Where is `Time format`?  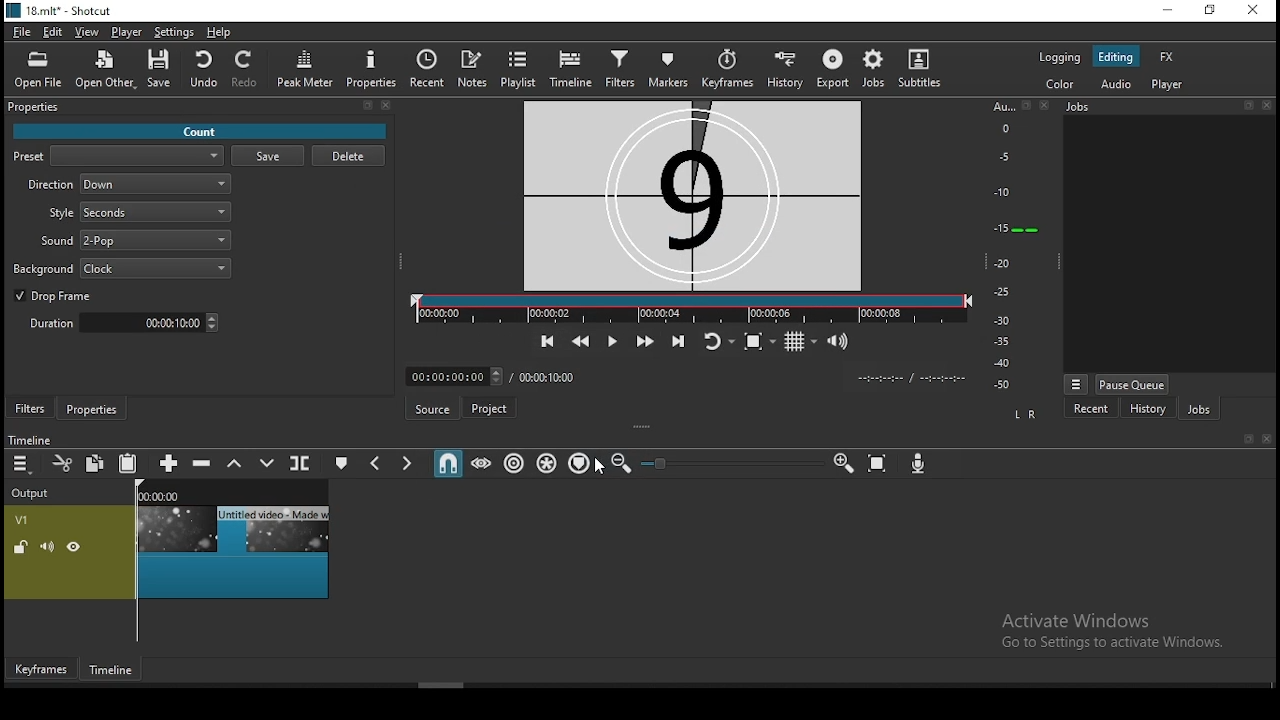 Time format is located at coordinates (911, 377).